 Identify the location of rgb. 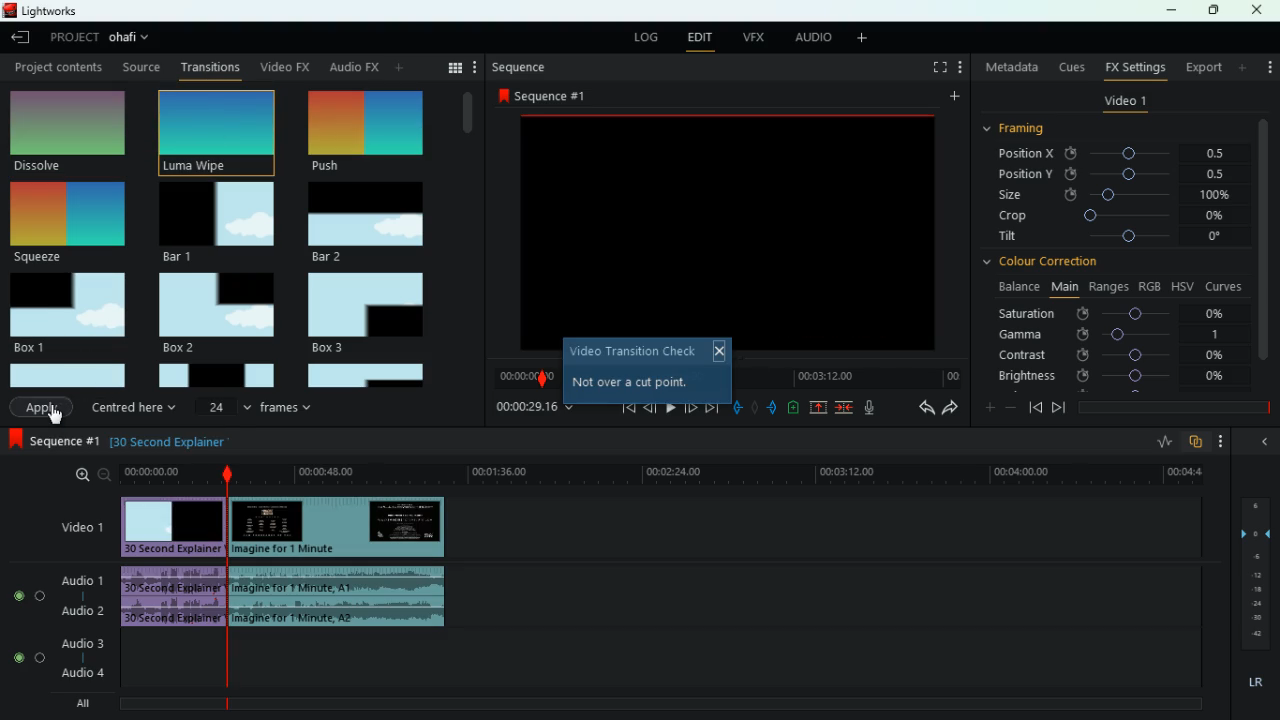
(1150, 285).